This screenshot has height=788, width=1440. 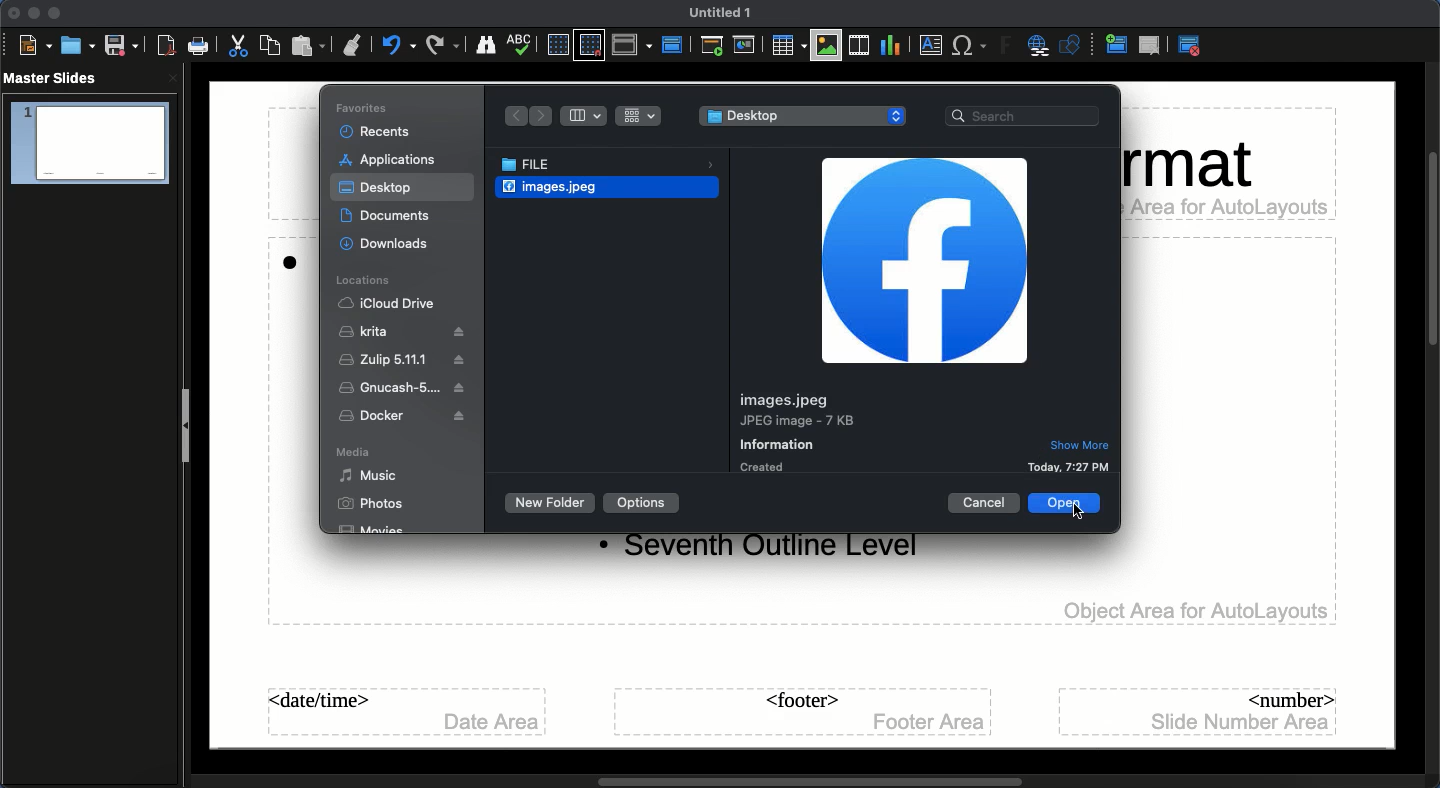 What do you see at coordinates (395, 217) in the screenshot?
I see `Documents` at bounding box center [395, 217].